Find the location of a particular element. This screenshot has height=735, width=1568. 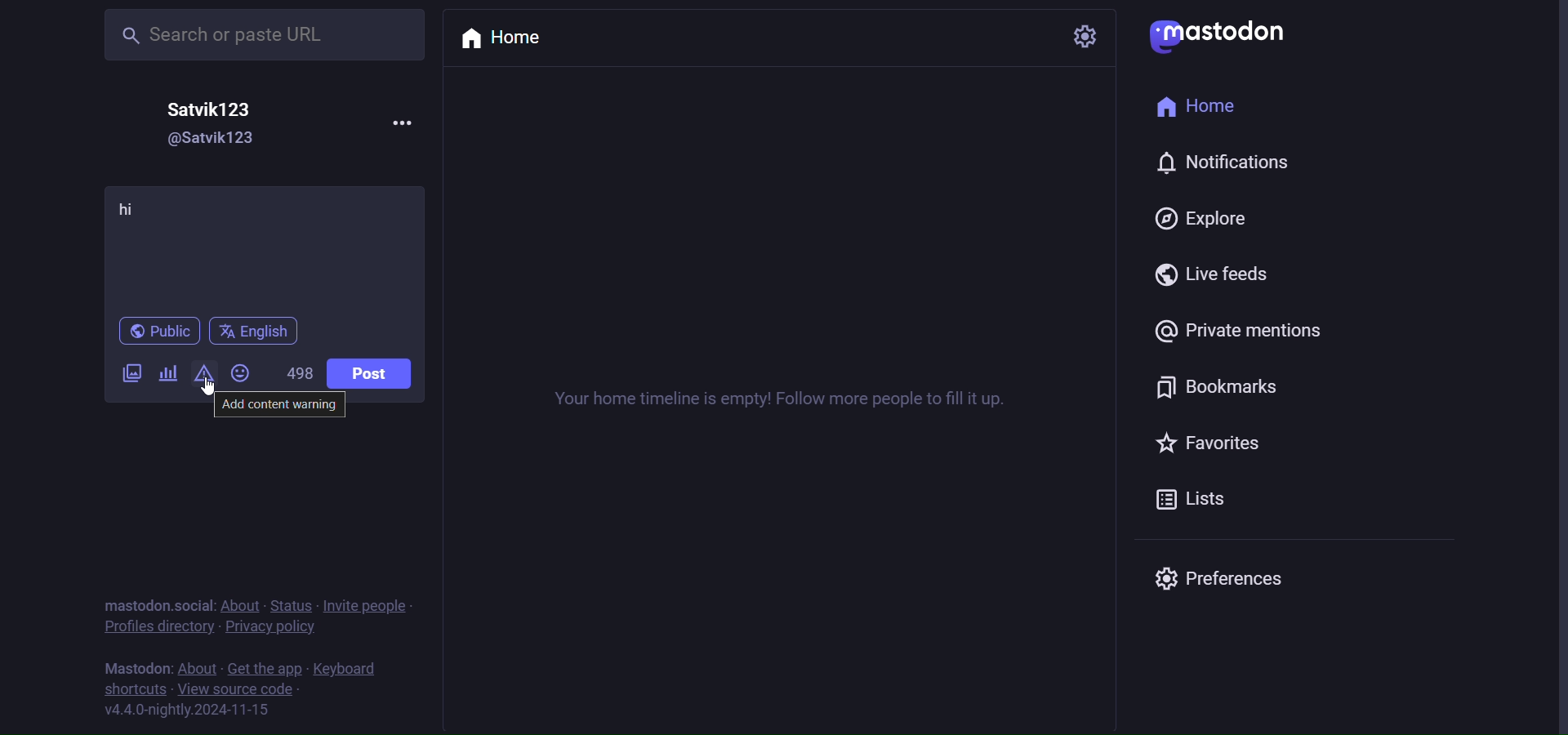

post is located at coordinates (369, 373).